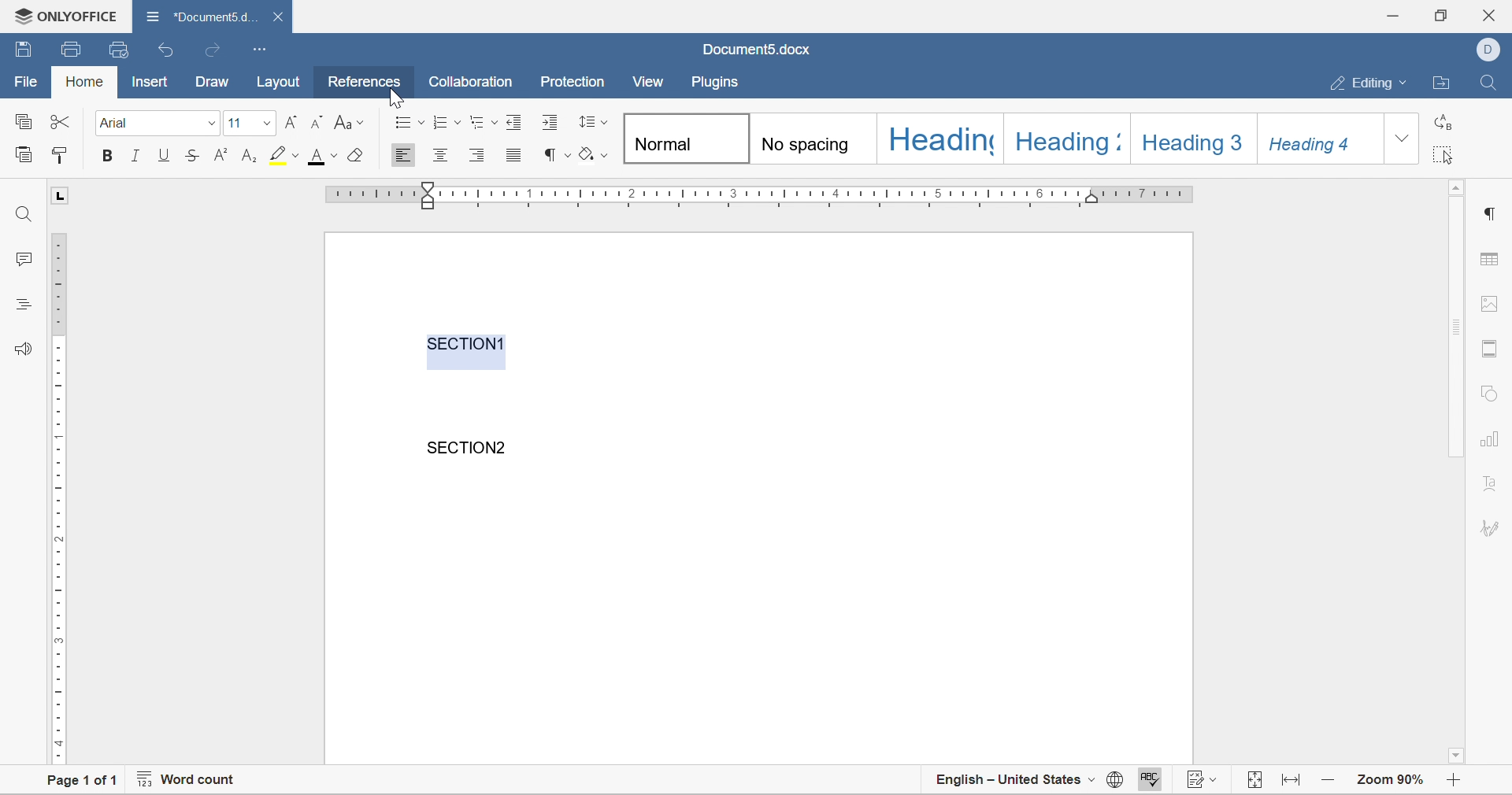 Image resolution: width=1512 pixels, height=795 pixels. Describe the element at coordinates (478, 154) in the screenshot. I see `Align Right` at that location.